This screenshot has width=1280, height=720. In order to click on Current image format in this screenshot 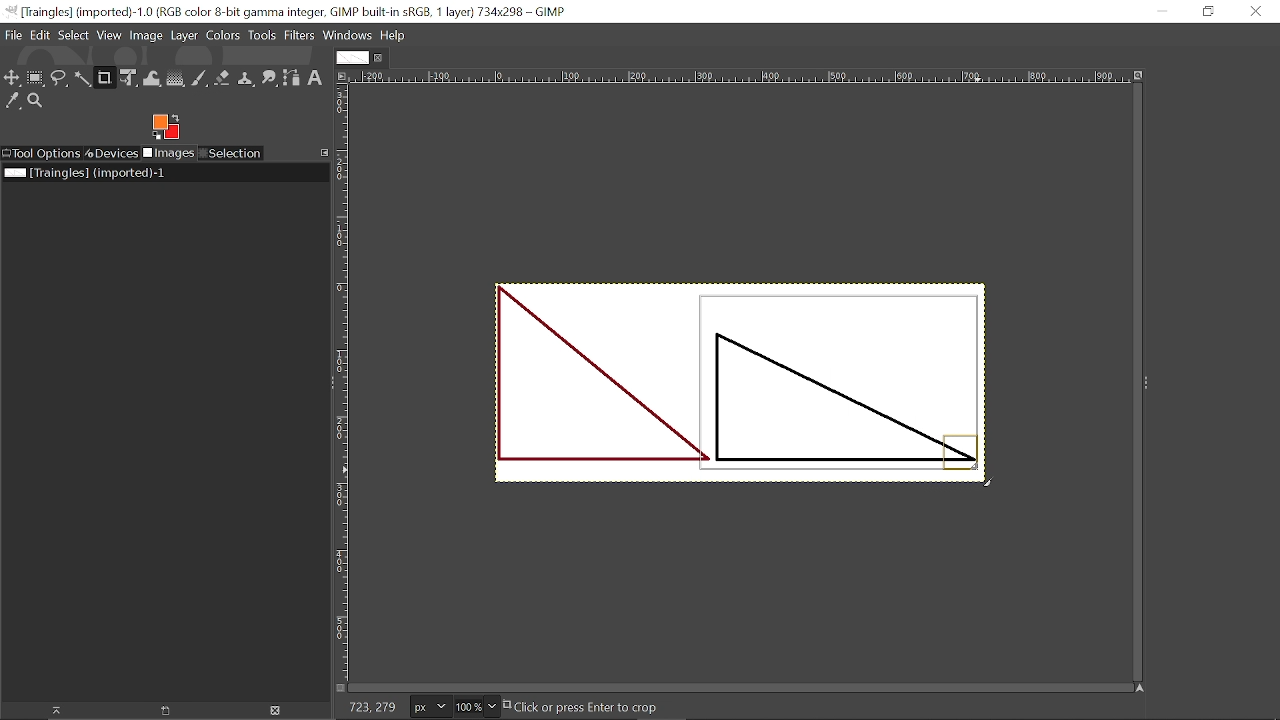, I will do `click(427, 706)`.